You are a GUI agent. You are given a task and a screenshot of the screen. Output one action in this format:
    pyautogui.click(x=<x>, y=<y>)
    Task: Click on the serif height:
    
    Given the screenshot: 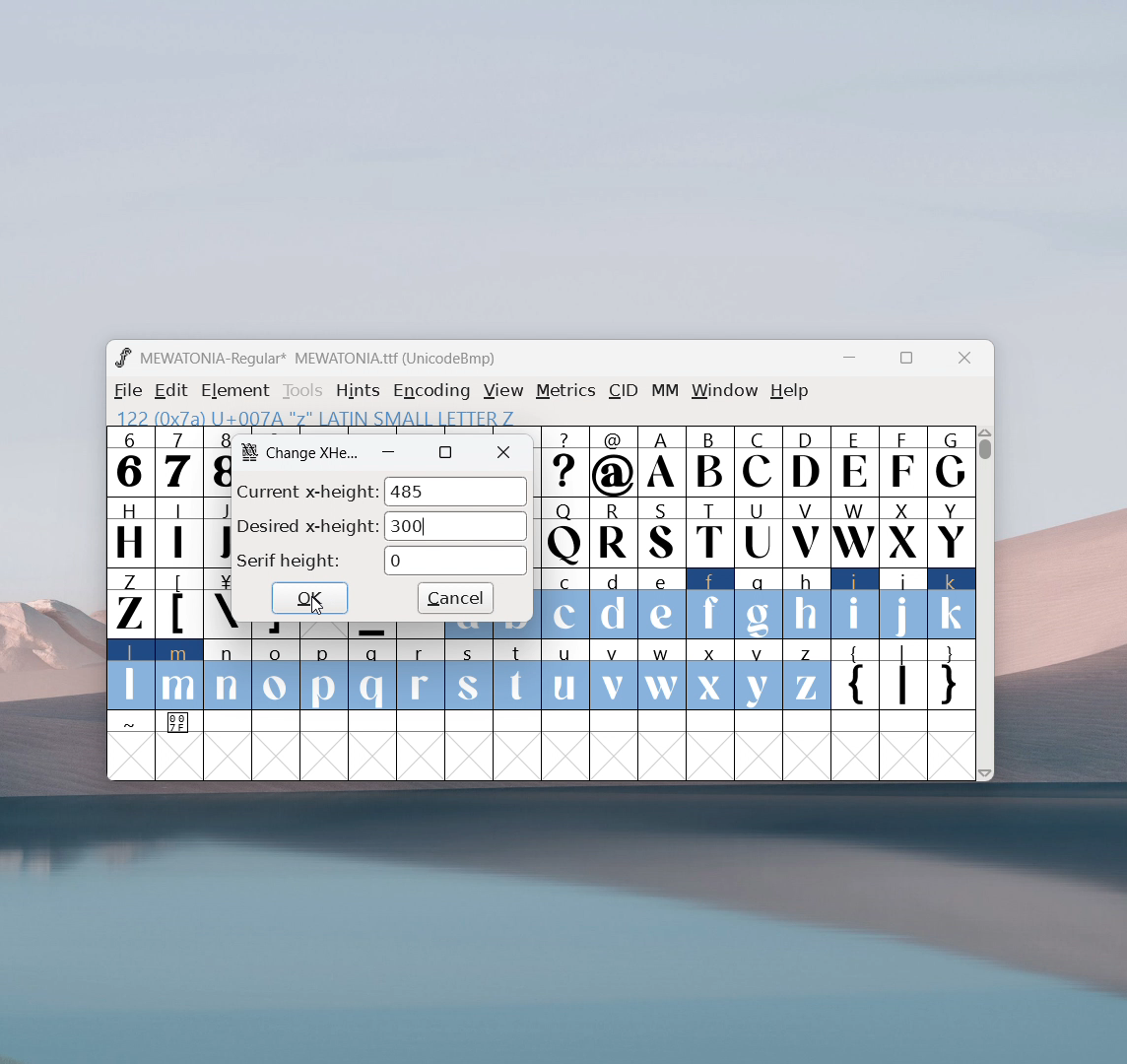 What is the action you would take?
    pyautogui.click(x=289, y=562)
    